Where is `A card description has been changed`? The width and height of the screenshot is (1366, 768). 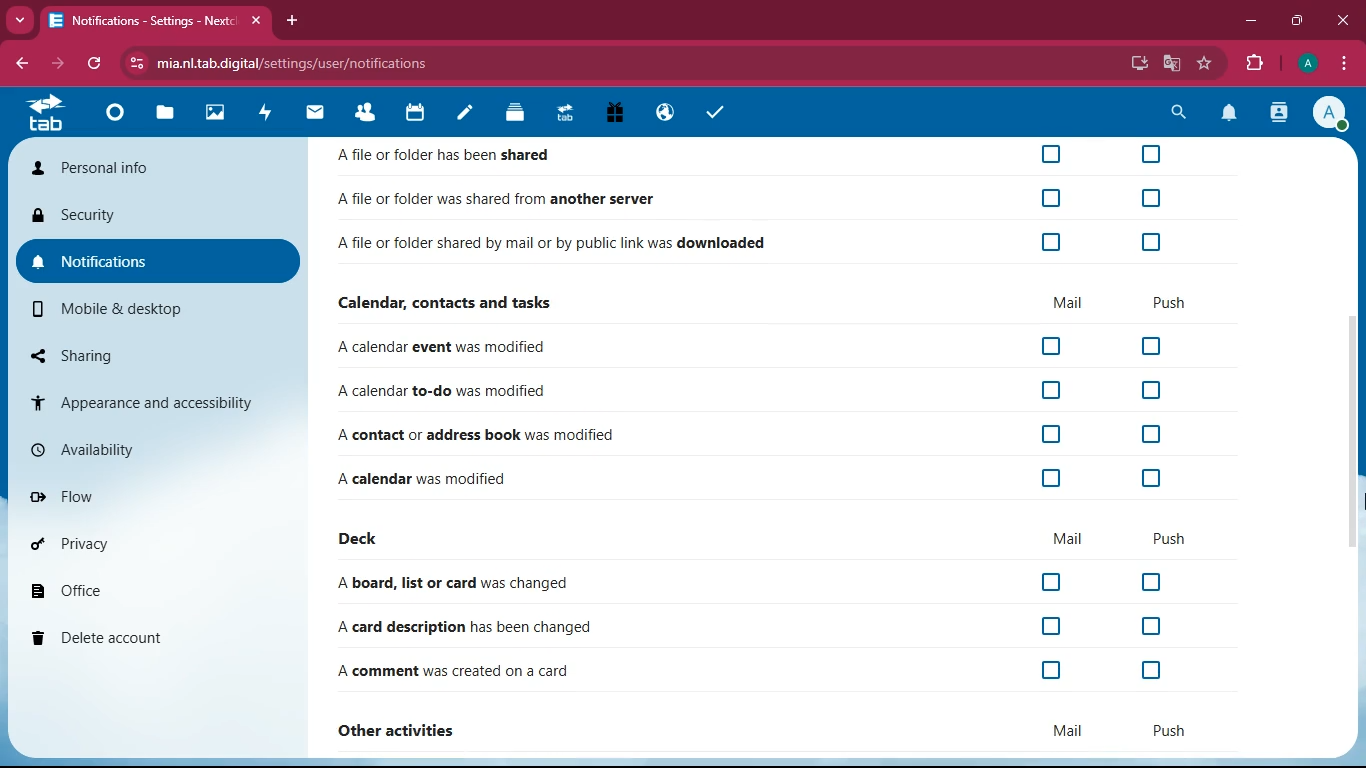
A card description has been changed is located at coordinates (463, 630).